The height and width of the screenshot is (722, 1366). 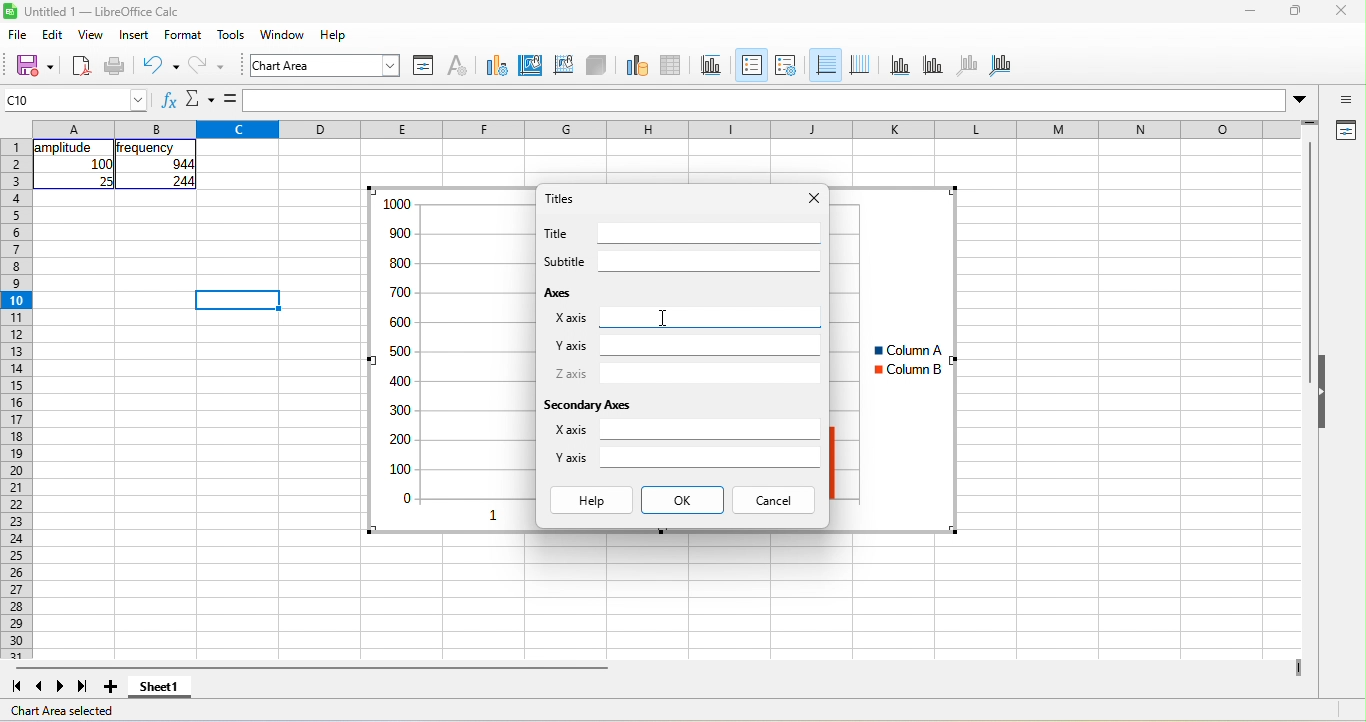 I want to click on undo, so click(x=161, y=67).